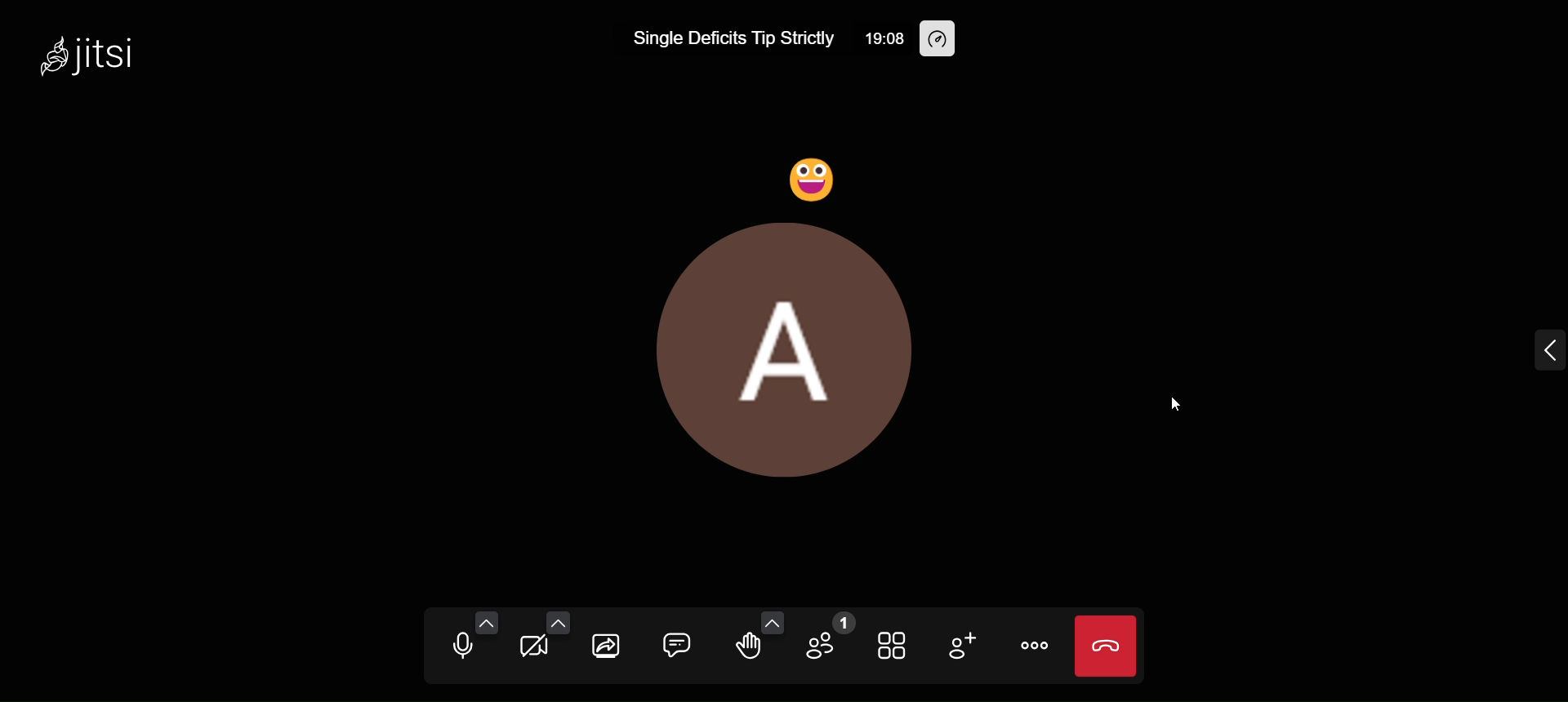 The image size is (1568, 702). I want to click on tile view, so click(891, 646).